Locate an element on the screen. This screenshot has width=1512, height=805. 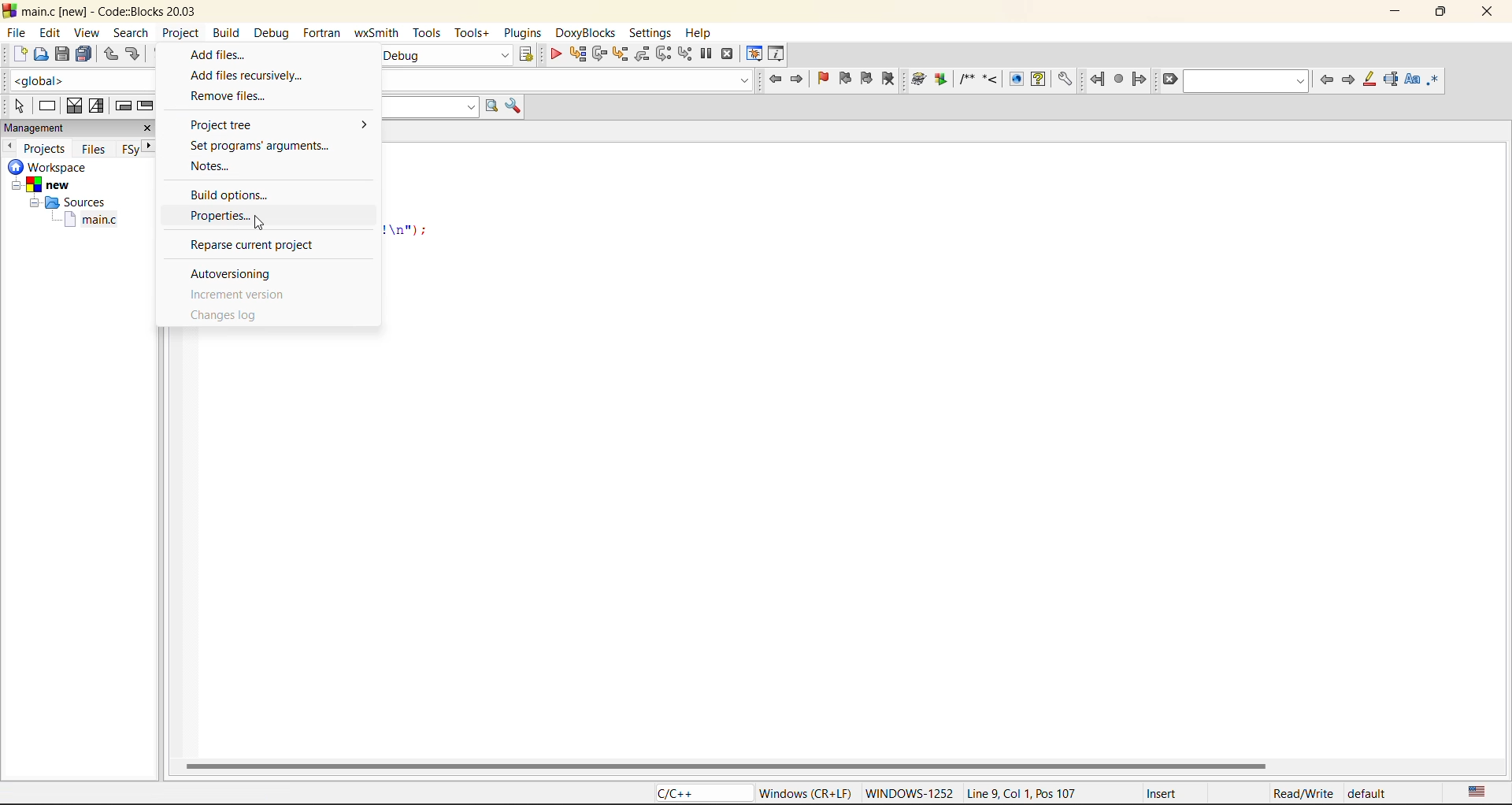
 is located at coordinates (1171, 80).